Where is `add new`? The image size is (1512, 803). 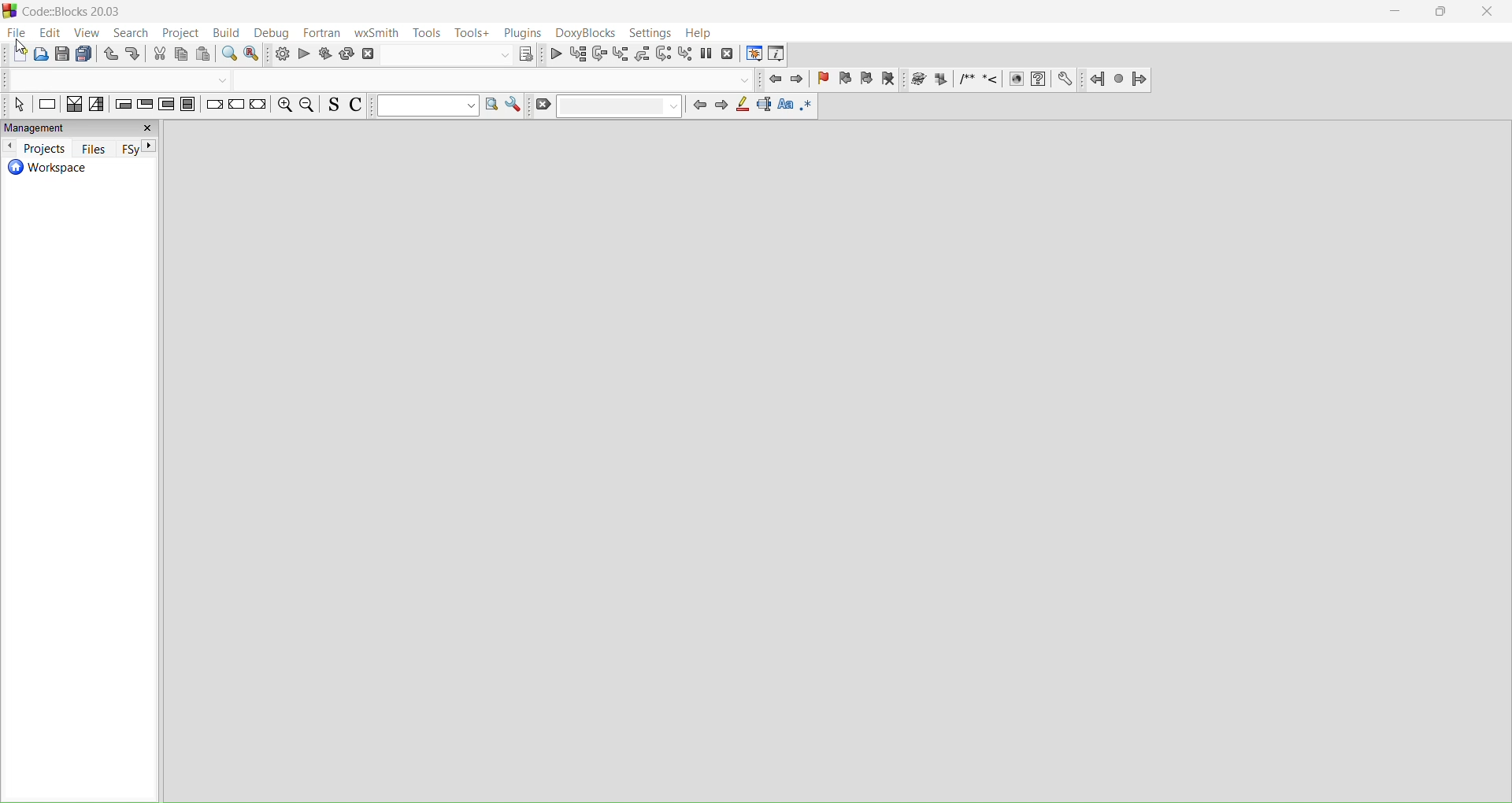
add new is located at coordinates (16, 54).